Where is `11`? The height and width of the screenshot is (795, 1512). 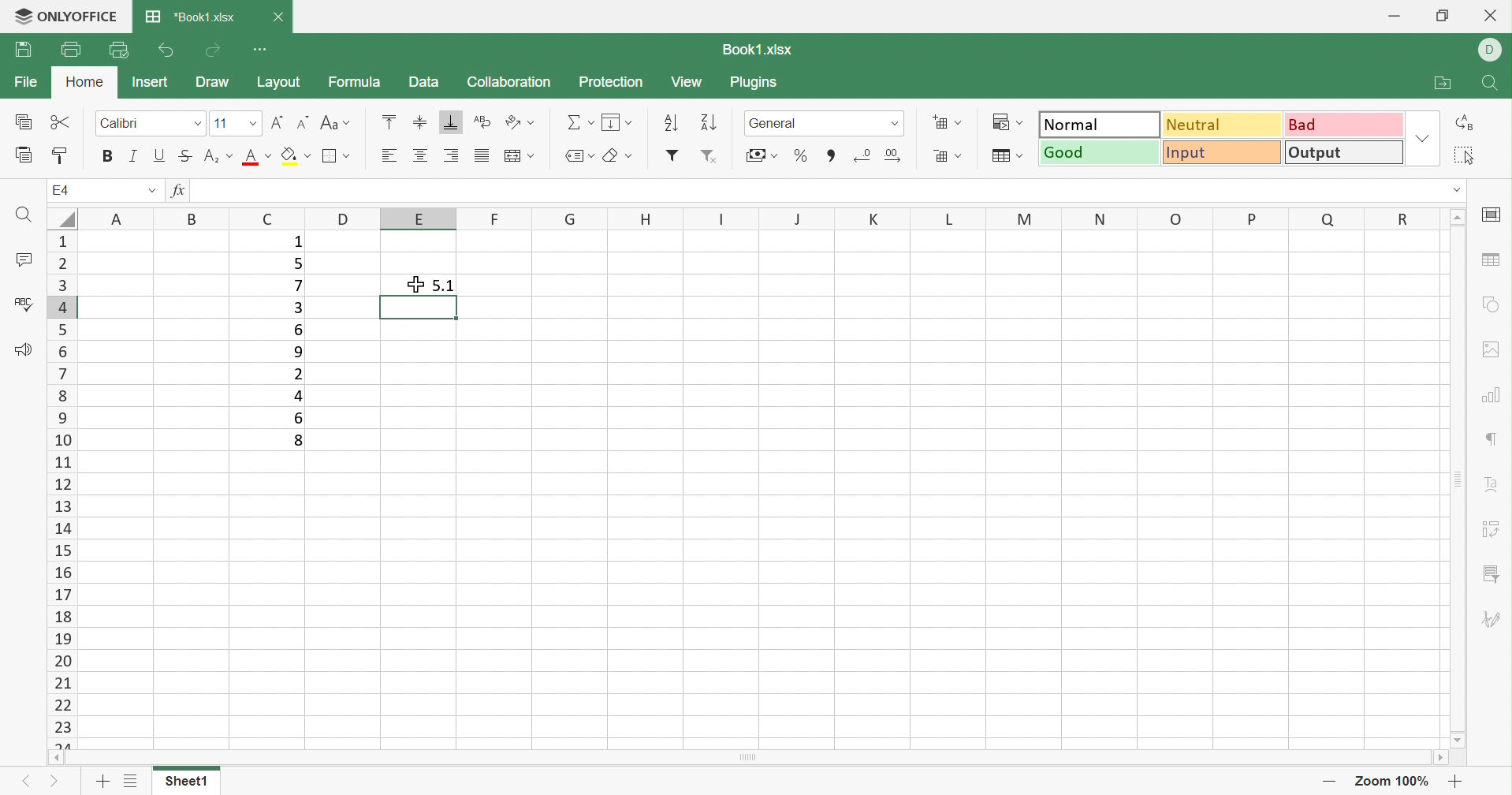 11 is located at coordinates (222, 124).